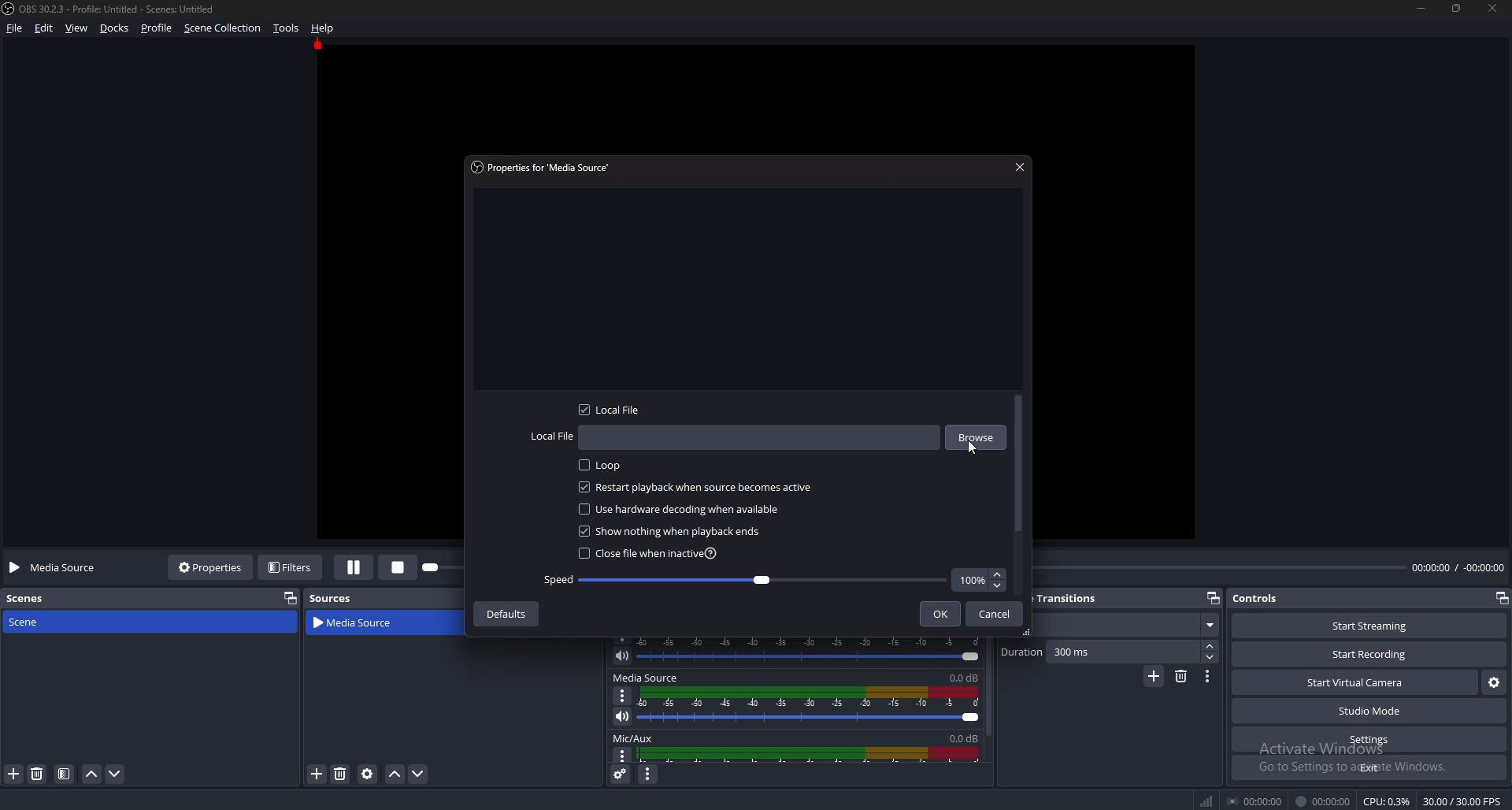  I want to click on Cancel, so click(995, 614).